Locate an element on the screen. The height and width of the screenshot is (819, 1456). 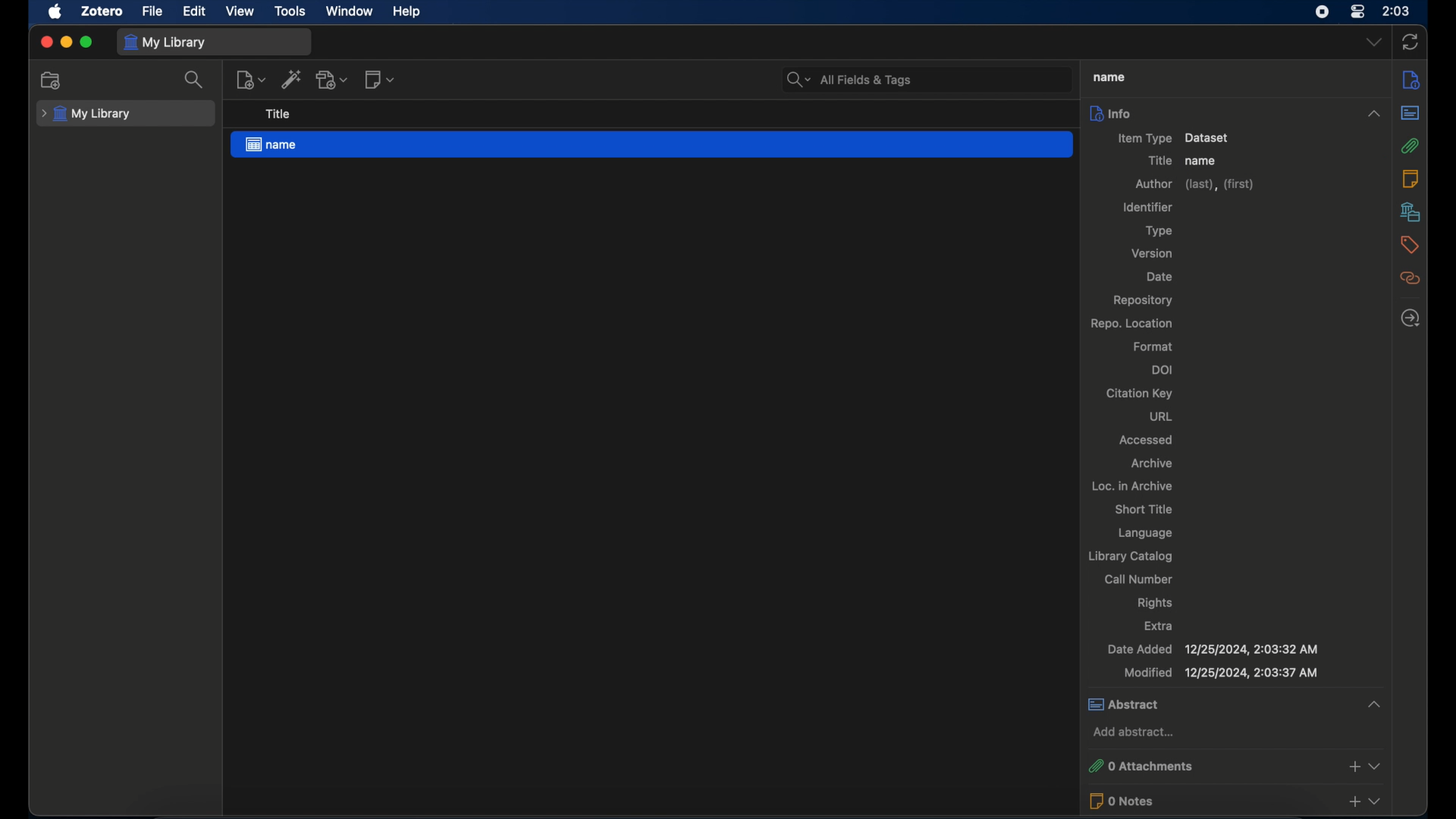
rights is located at coordinates (1156, 603).